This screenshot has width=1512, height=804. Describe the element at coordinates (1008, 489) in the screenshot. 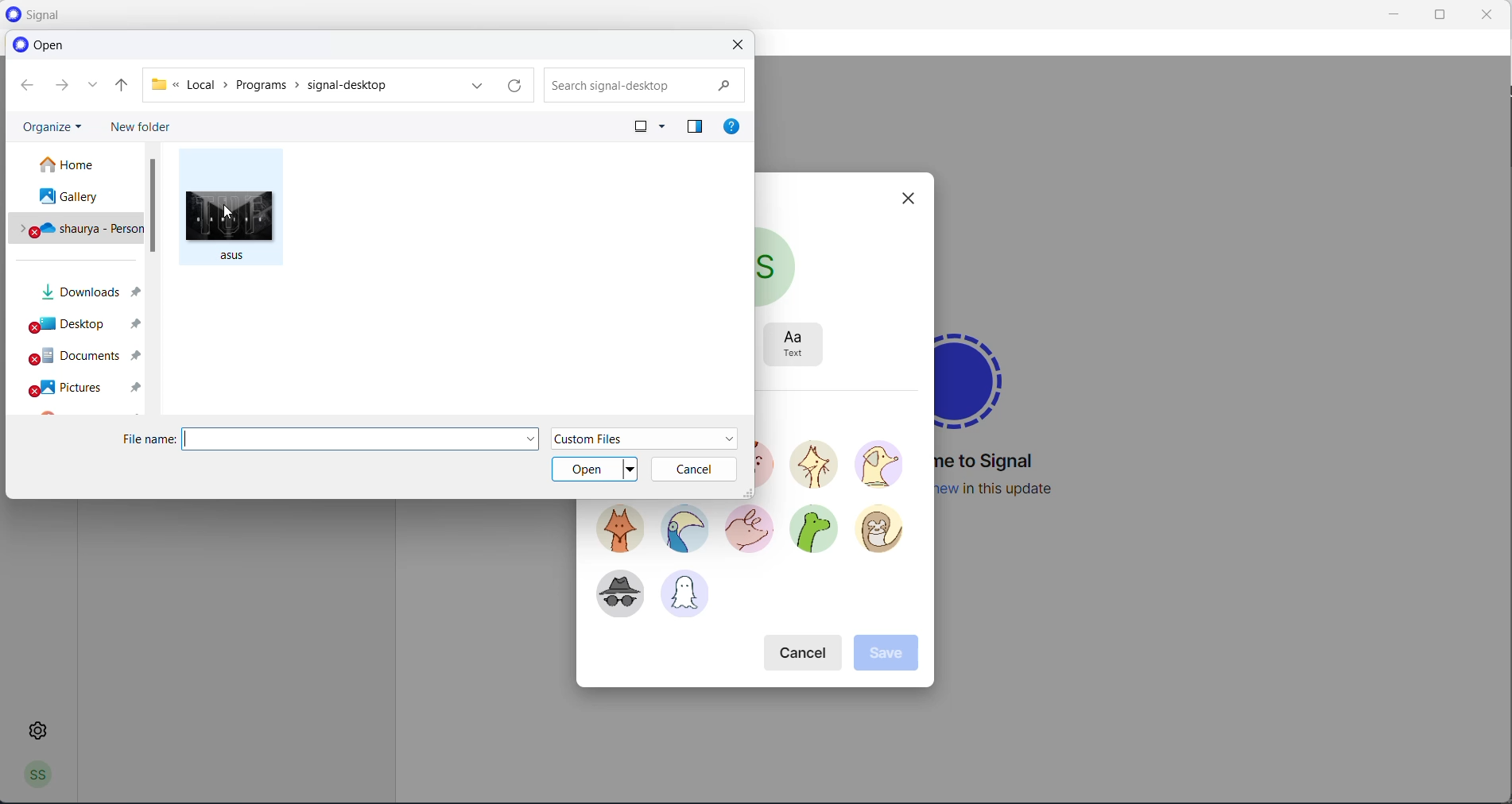

I see `new update information` at that location.